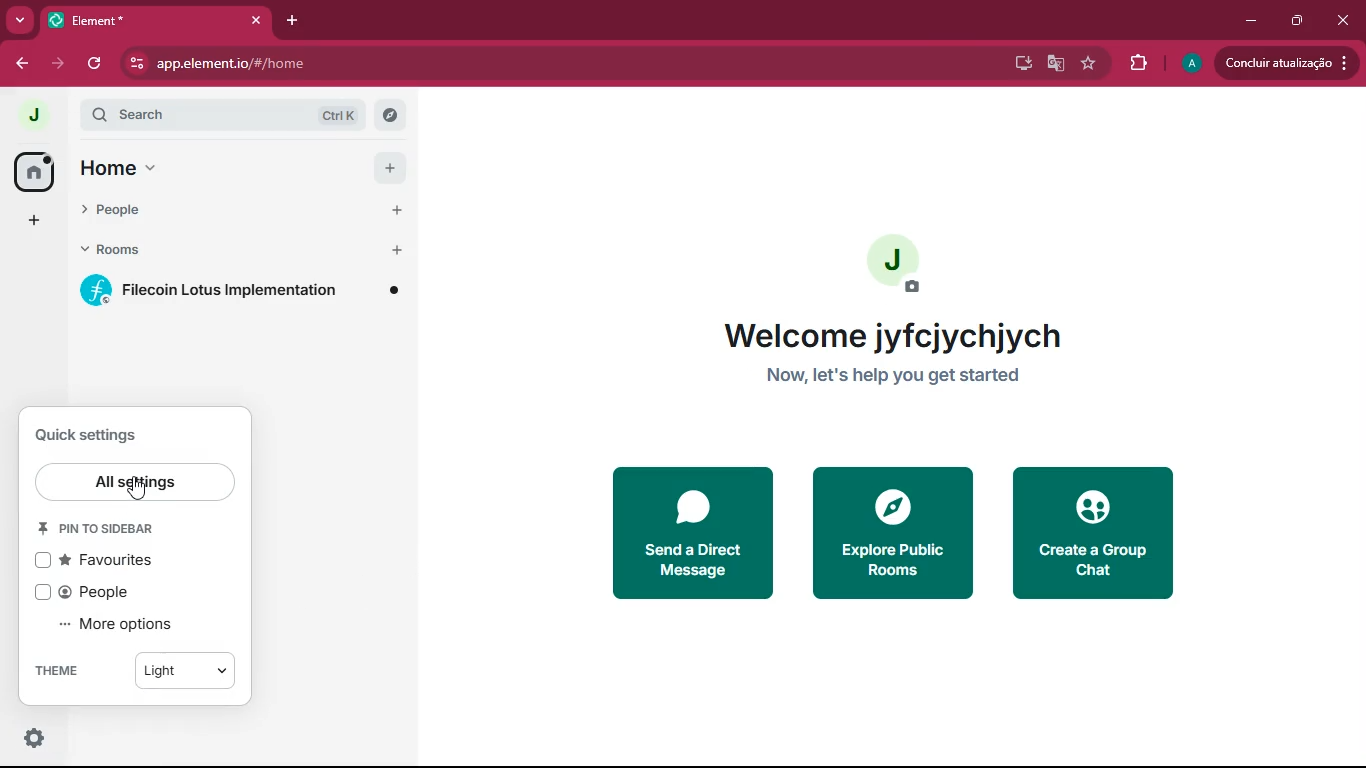  What do you see at coordinates (328, 64) in the screenshot?
I see `app.element.io/#/home` at bounding box center [328, 64].